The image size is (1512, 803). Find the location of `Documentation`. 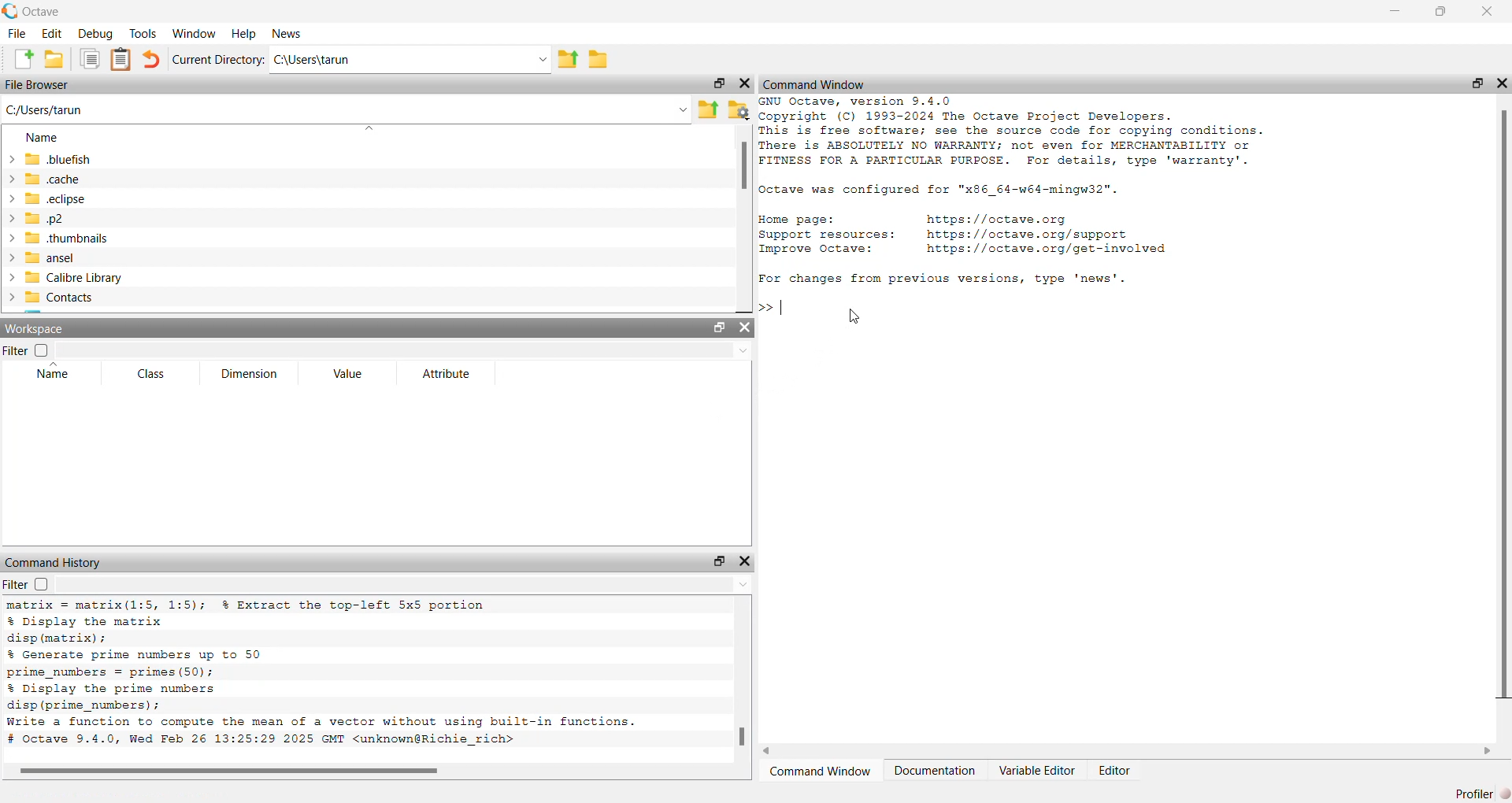

Documentation is located at coordinates (937, 771).